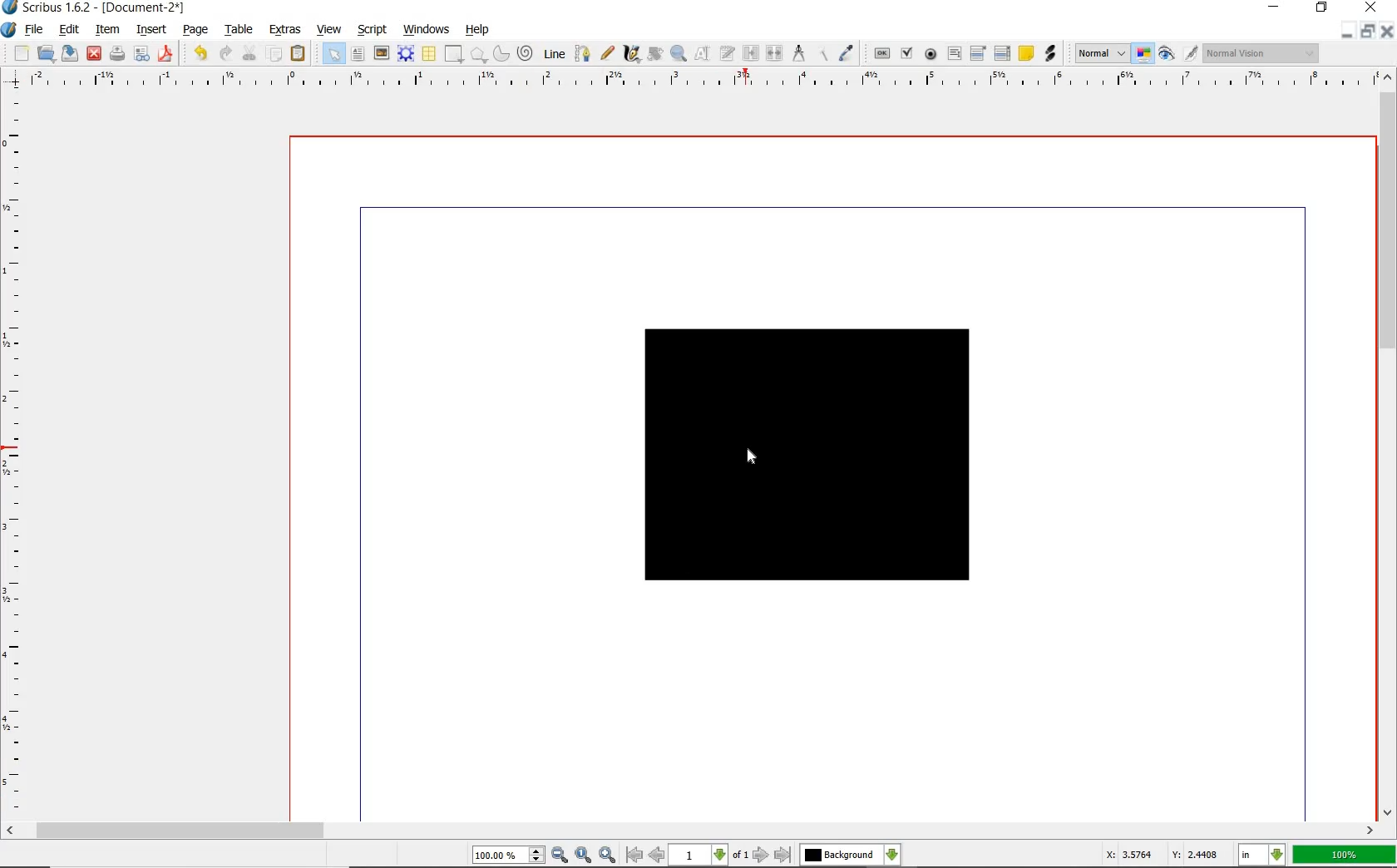 Image resolution: width=1397 pixels, height=868 pixels. I want to click on help, so click(479, 31).